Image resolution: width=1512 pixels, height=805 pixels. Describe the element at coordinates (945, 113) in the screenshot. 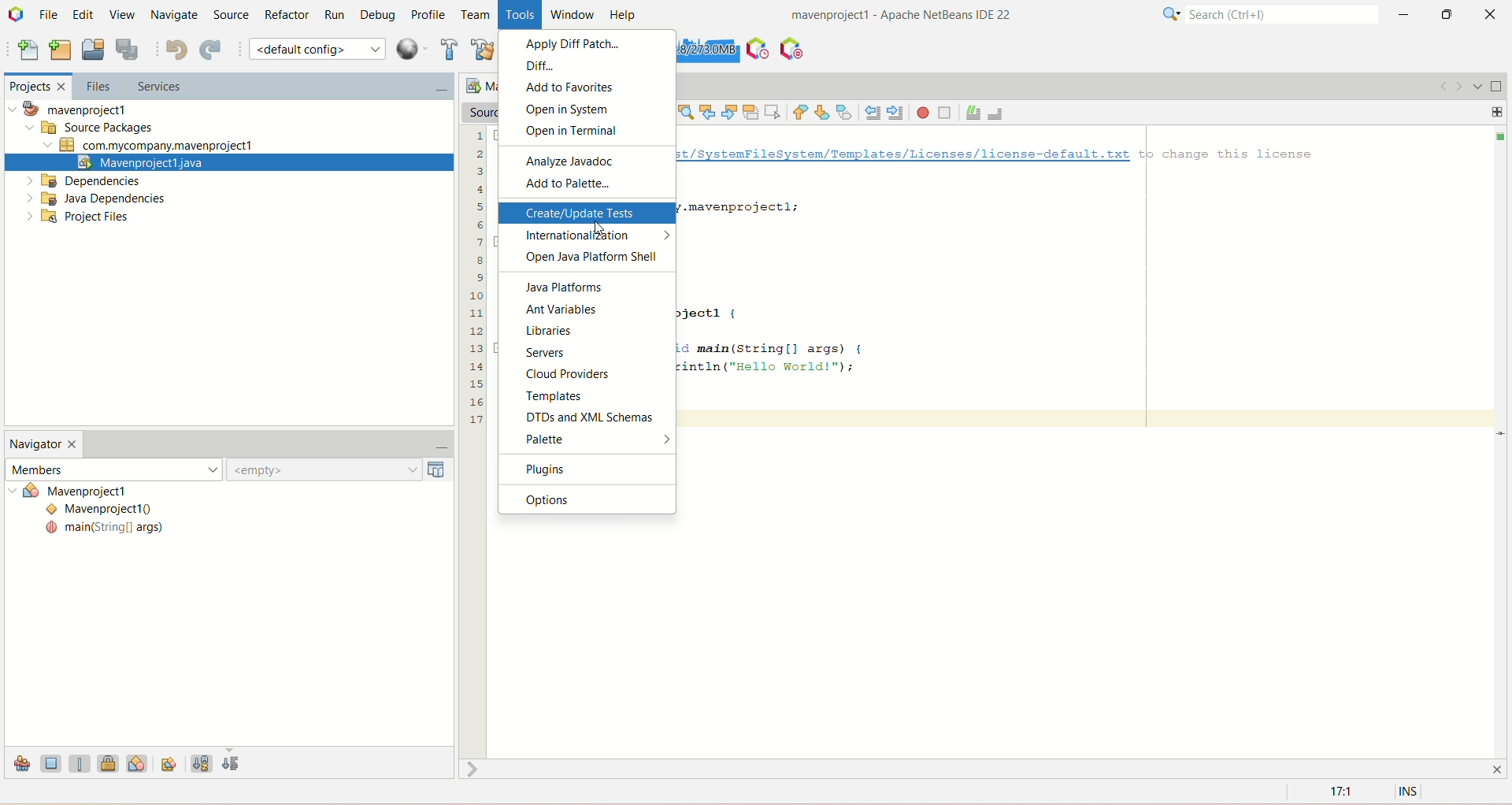

I see `stop macro recording` at that location.